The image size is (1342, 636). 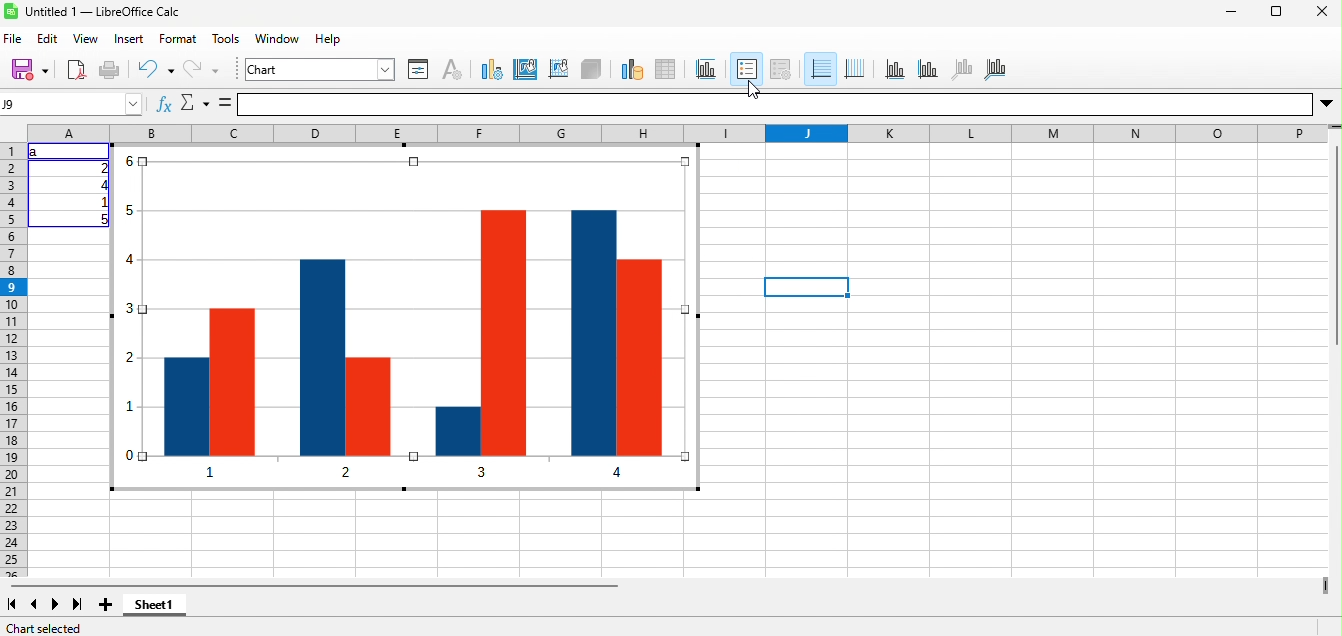 What do you see at coordinates (995, 70) in the screenshot?
I see `all axes` at bounding box center [995, 70].